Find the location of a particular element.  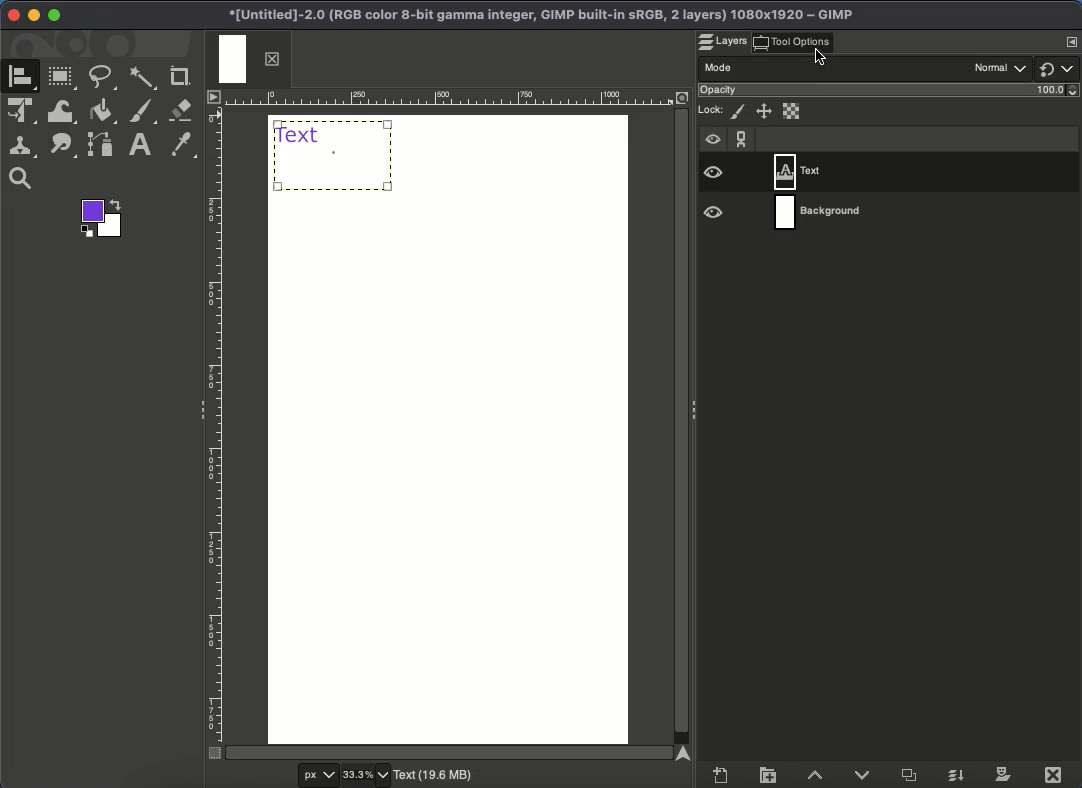

Fill is located at coordinates (101, 112).